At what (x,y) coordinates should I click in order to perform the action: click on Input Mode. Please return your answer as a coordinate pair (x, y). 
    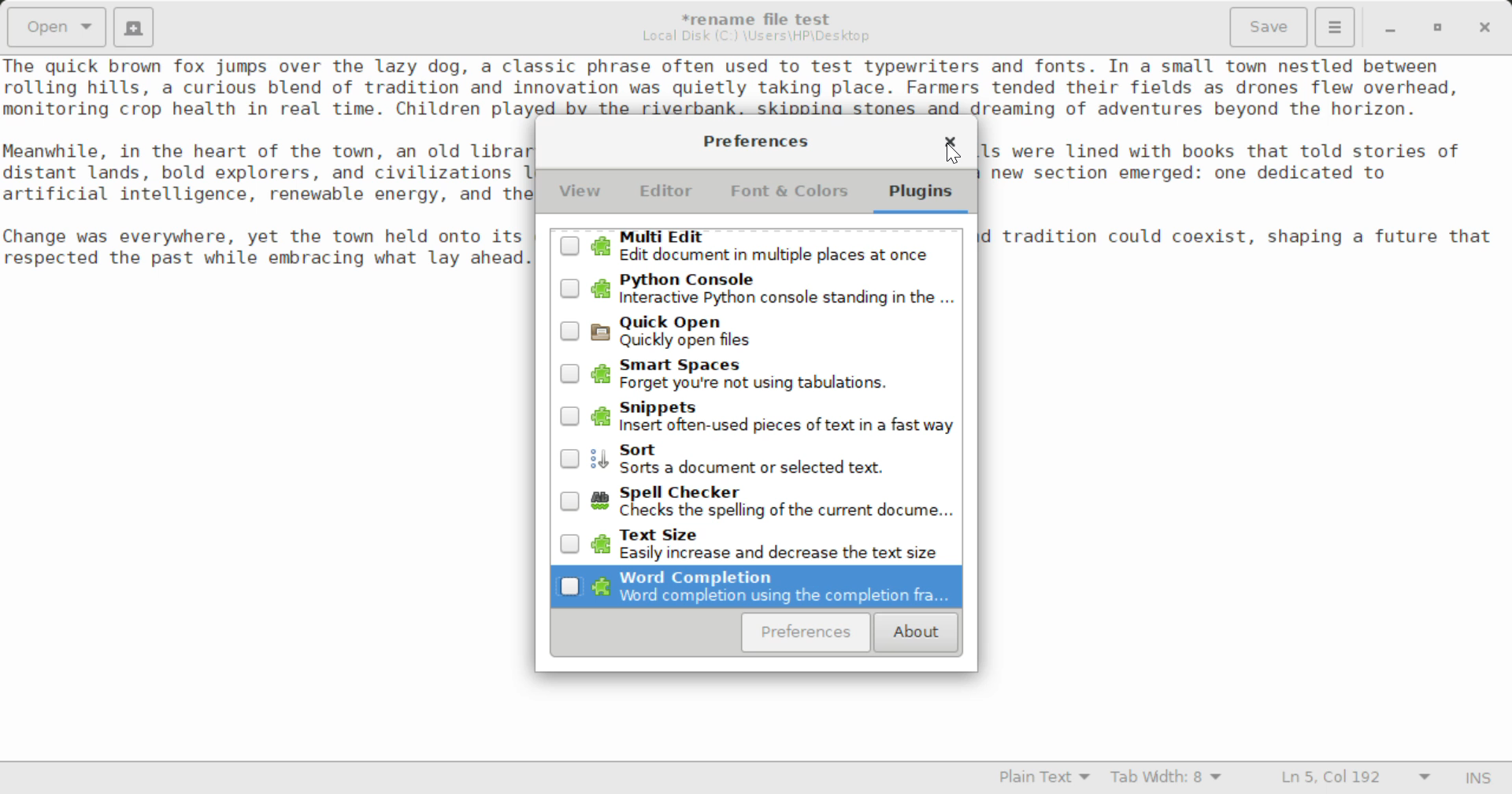
    Looking at the image, I should click on (1478, 780).